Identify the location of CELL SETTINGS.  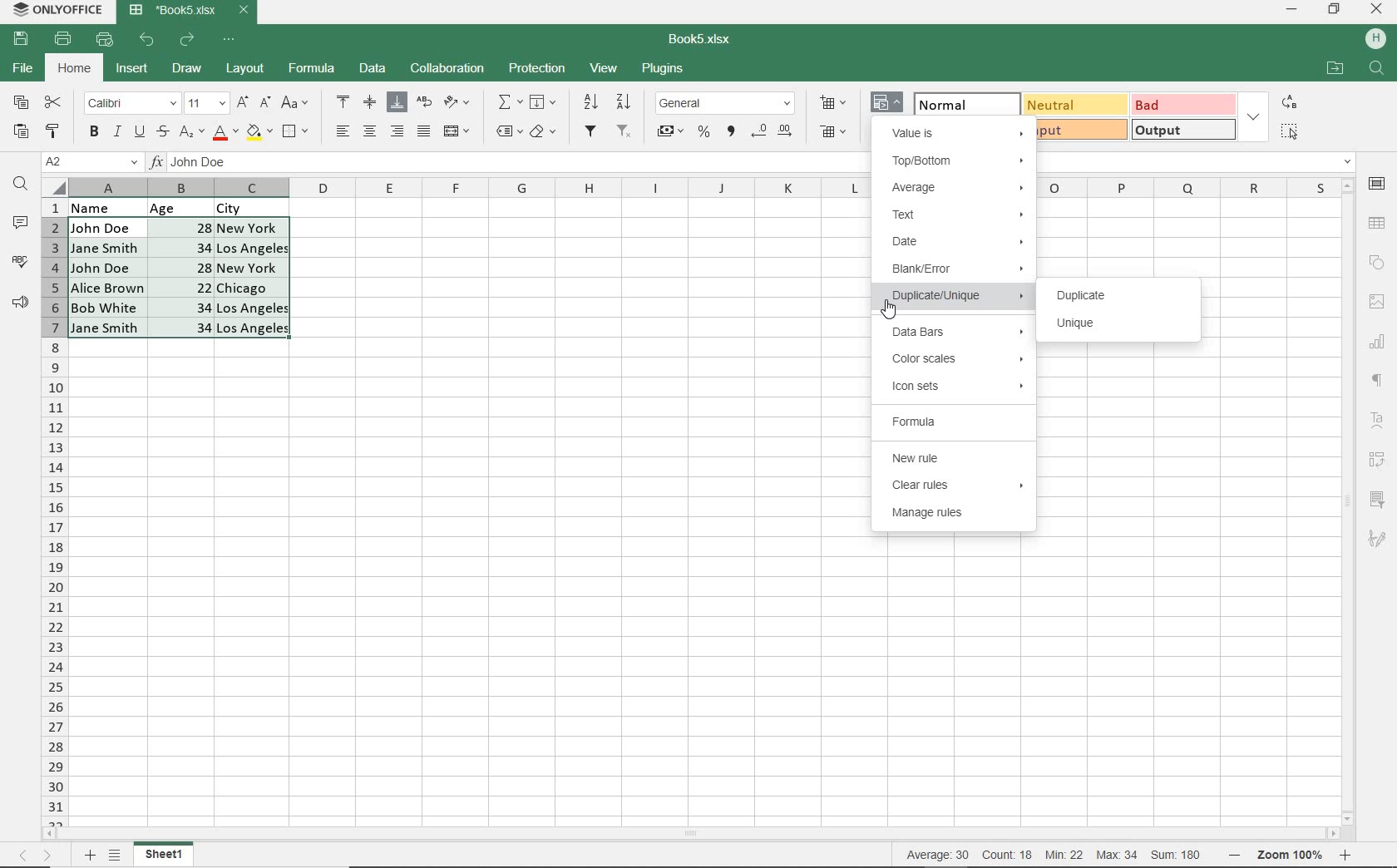
(1378, 183).